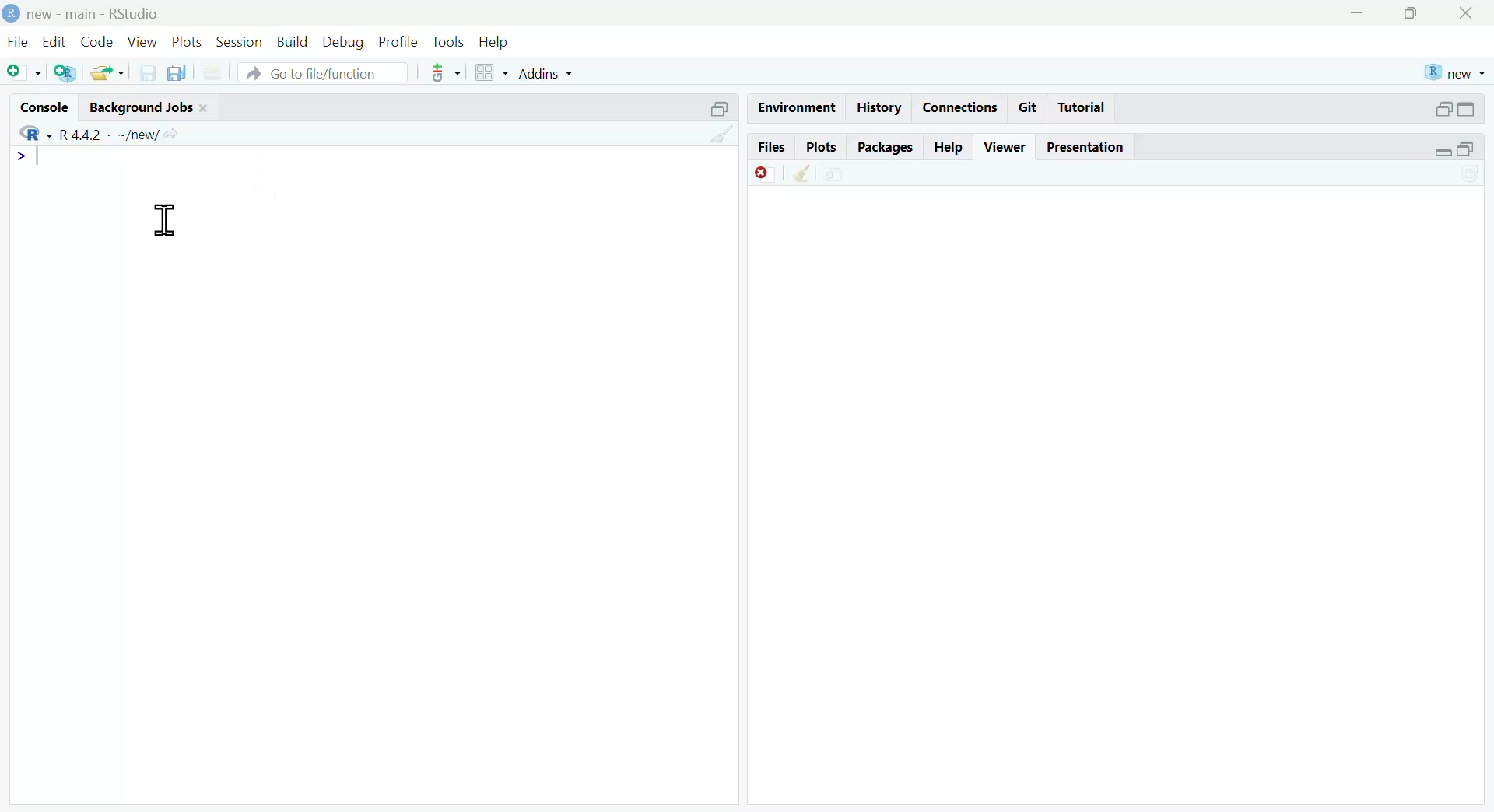  What do you see at coordinates (37, 109) in the screenshot?
I see `Console` at bounding box center [37, 109].